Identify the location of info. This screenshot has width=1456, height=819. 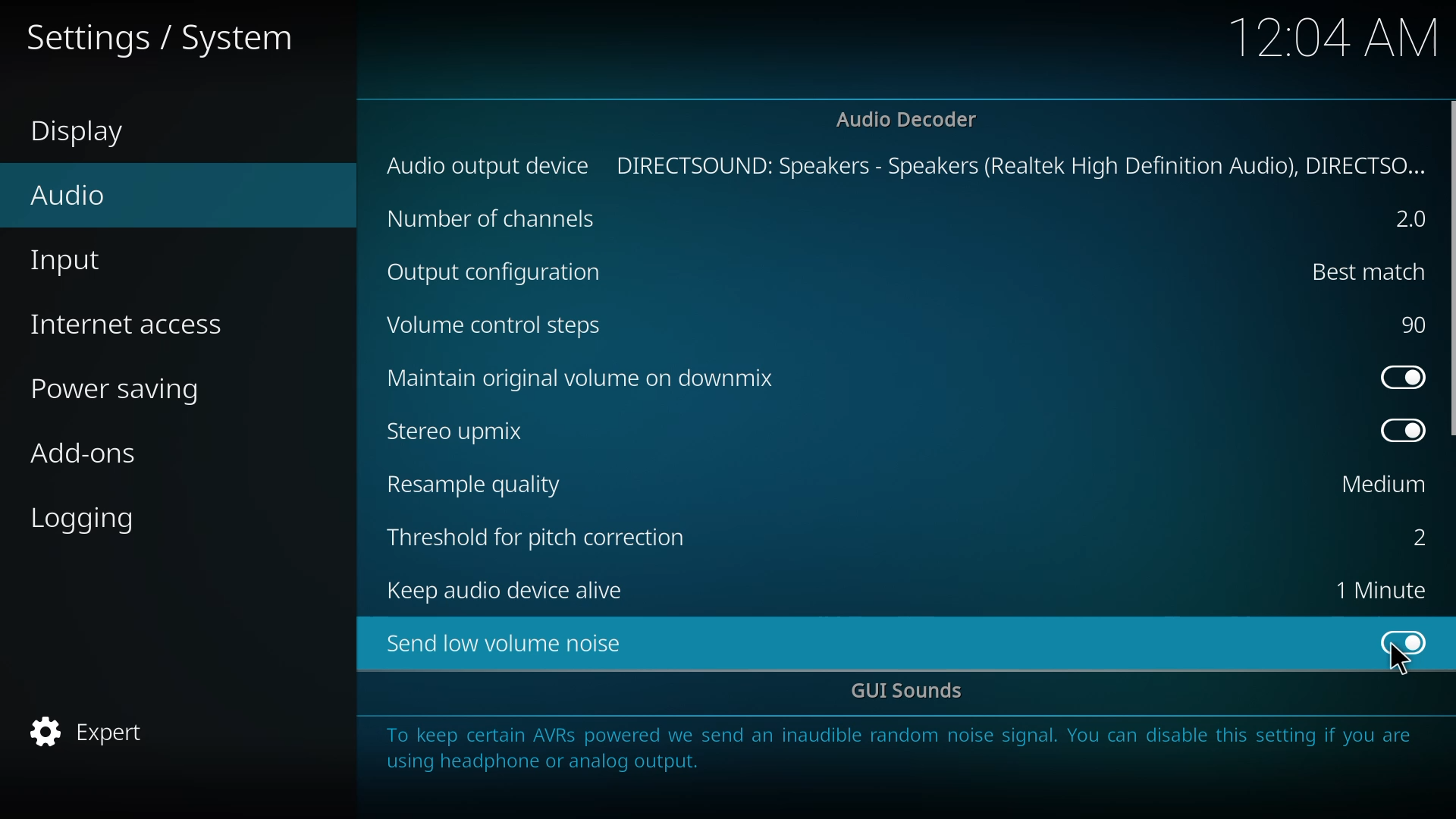
(905, 752).